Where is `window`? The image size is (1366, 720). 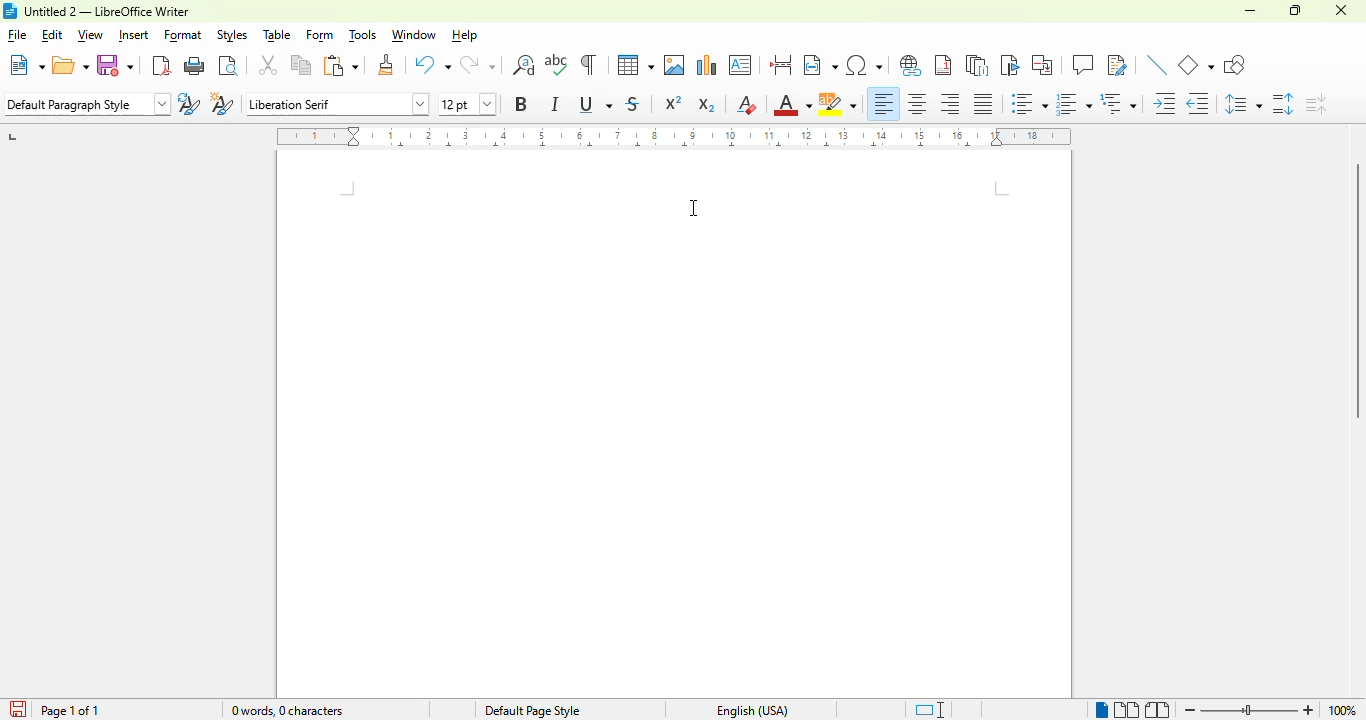
window is located at coordinates (414, 34).